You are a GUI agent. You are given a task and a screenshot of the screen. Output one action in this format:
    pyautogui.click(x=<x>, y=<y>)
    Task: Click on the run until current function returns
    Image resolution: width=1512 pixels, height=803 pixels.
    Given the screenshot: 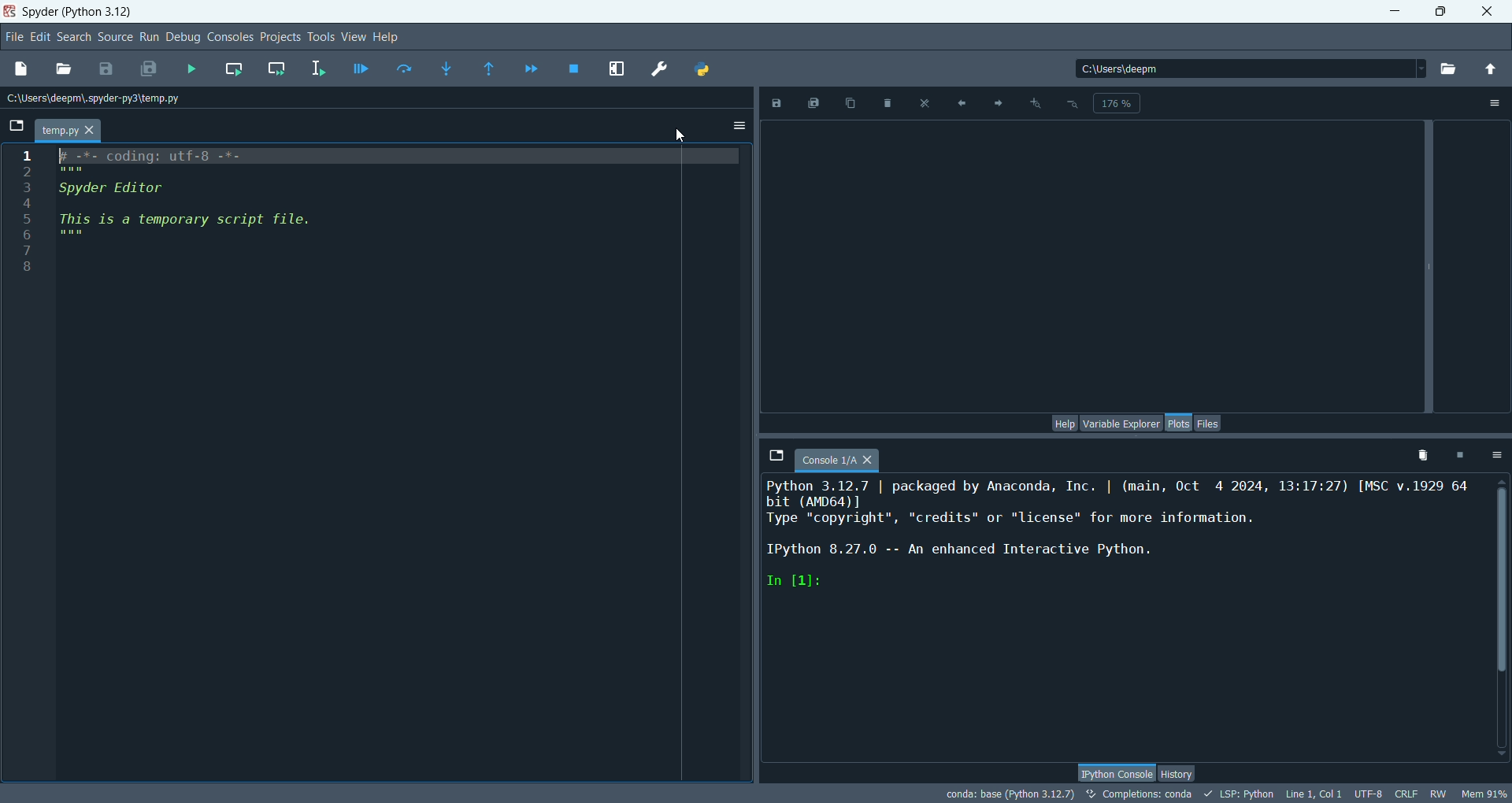 What is the action you would take?
    pyautogui.click(x=490, y=69)
    